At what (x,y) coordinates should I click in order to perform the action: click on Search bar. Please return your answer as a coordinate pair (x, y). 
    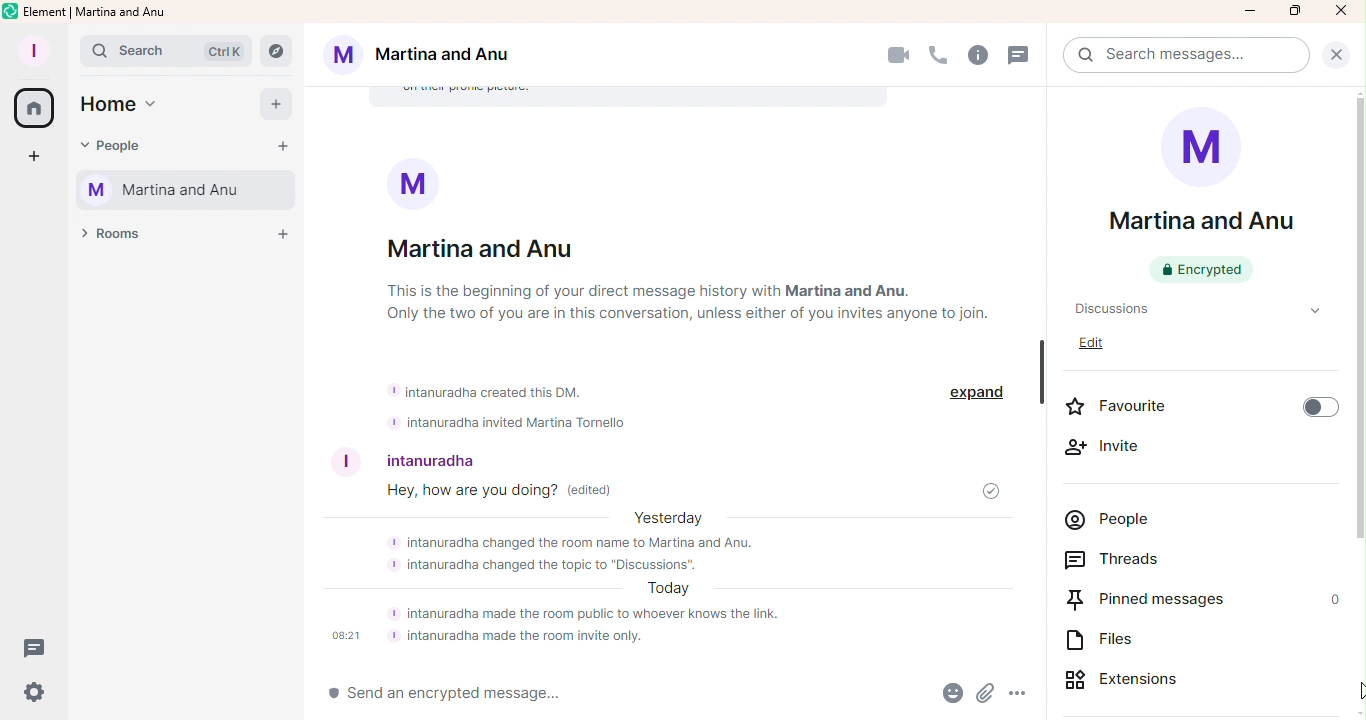
    Looking at the image, I should click on (167, 50).